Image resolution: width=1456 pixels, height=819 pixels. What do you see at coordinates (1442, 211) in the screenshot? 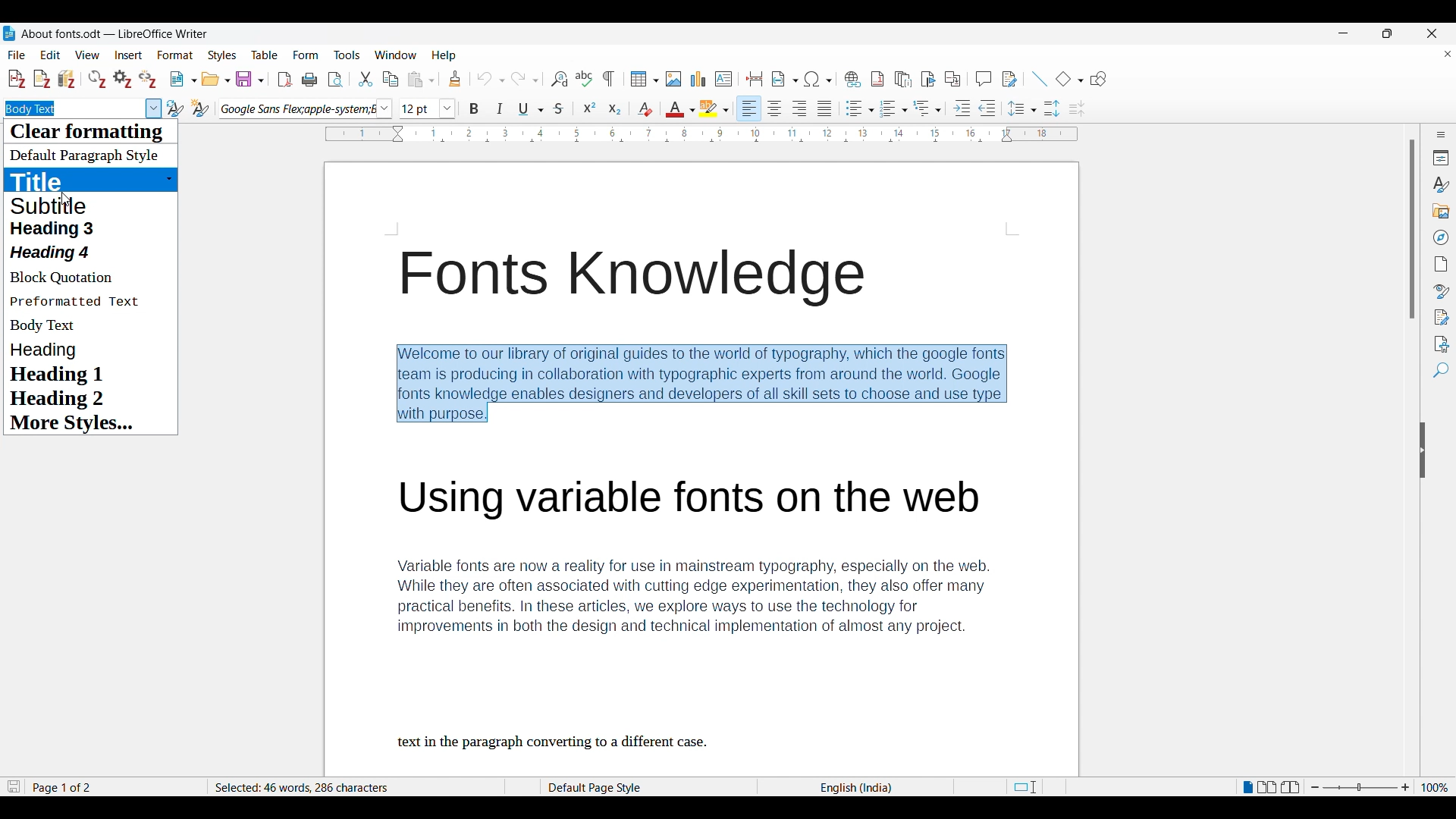
I see `Gallery ` at bounding box center [1442, 211].